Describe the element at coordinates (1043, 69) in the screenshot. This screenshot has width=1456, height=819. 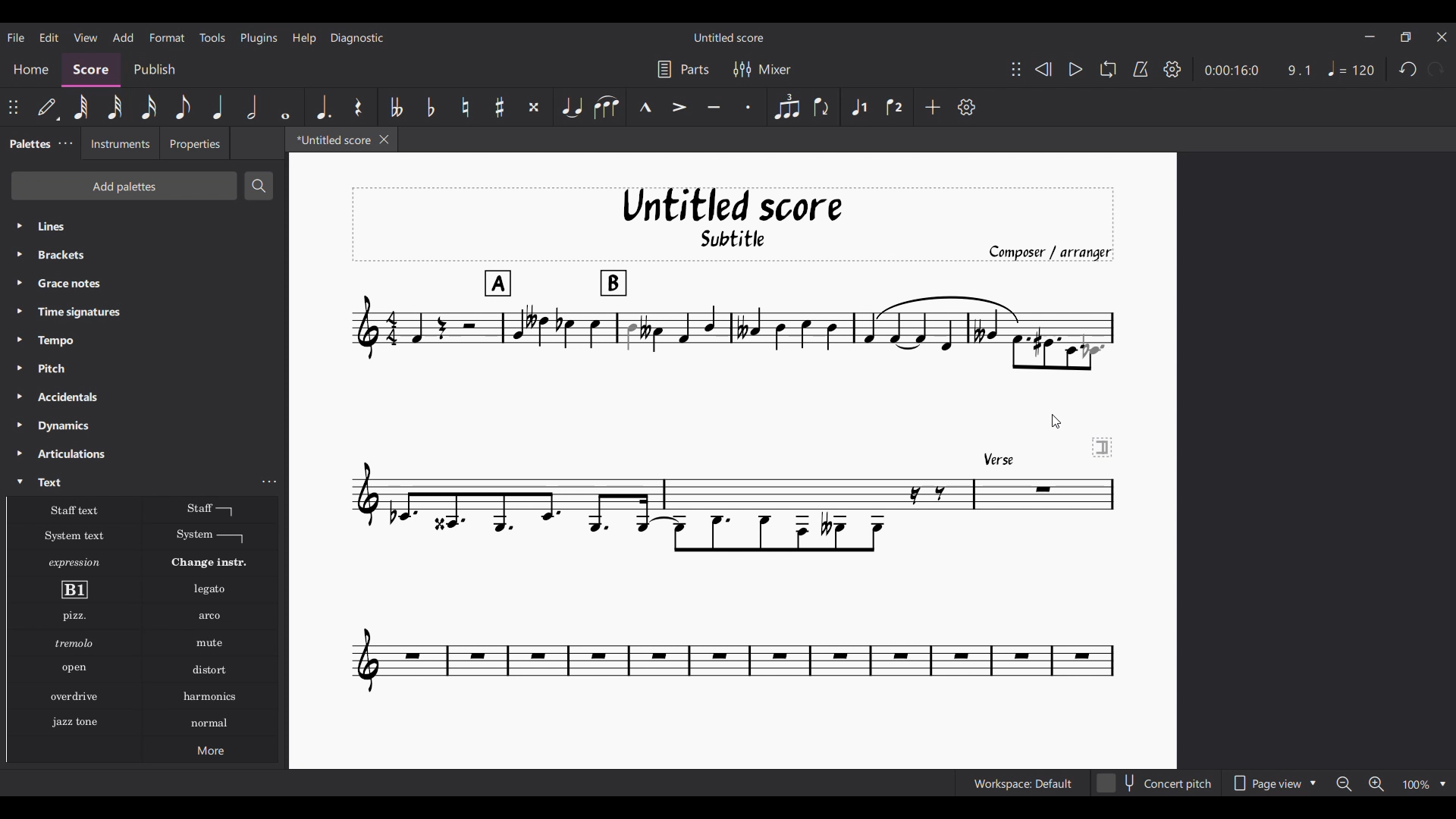
I see `Rewind` at that location.